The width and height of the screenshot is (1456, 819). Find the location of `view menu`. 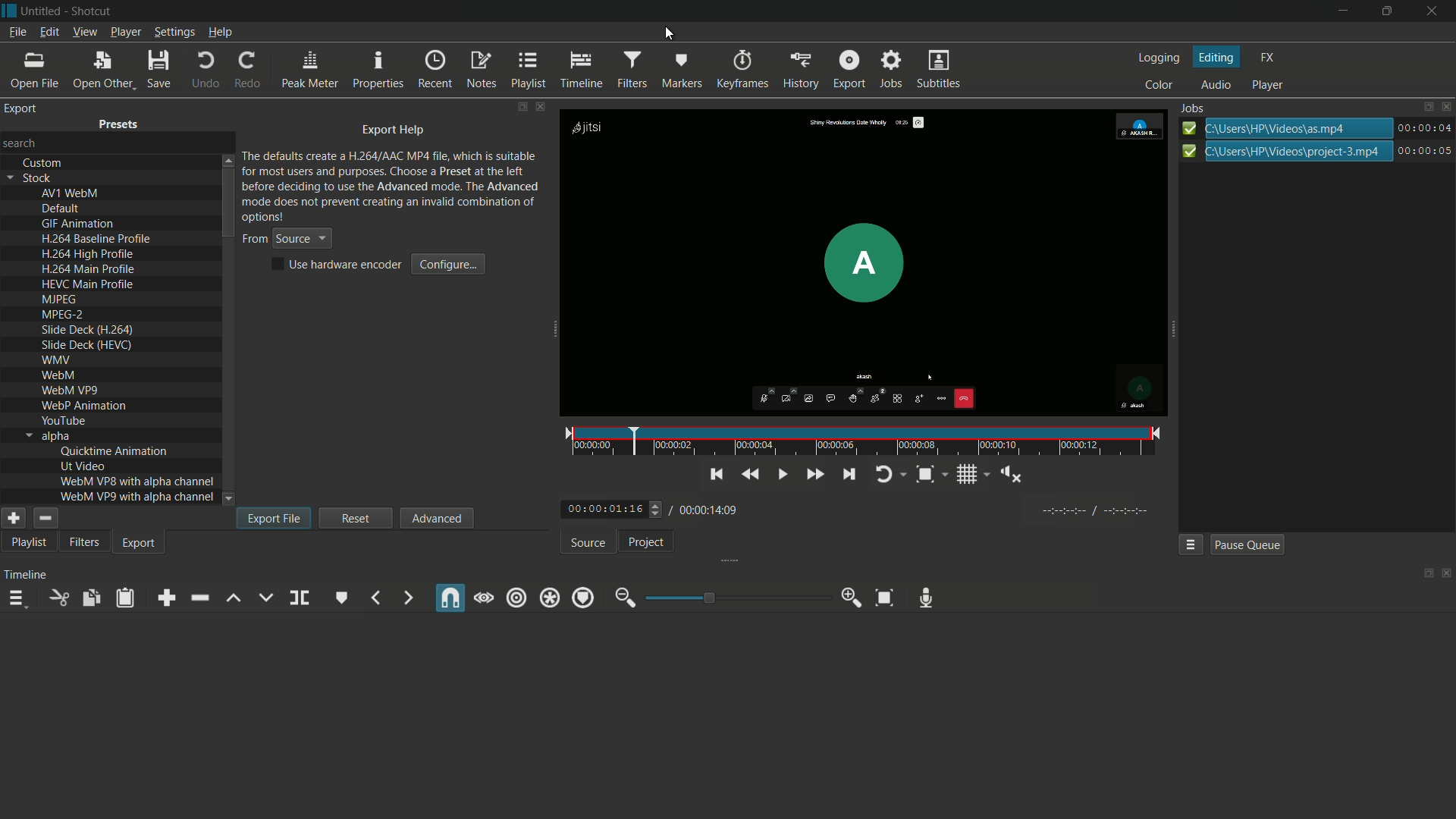

view menu is located at coordinates (83, 30).